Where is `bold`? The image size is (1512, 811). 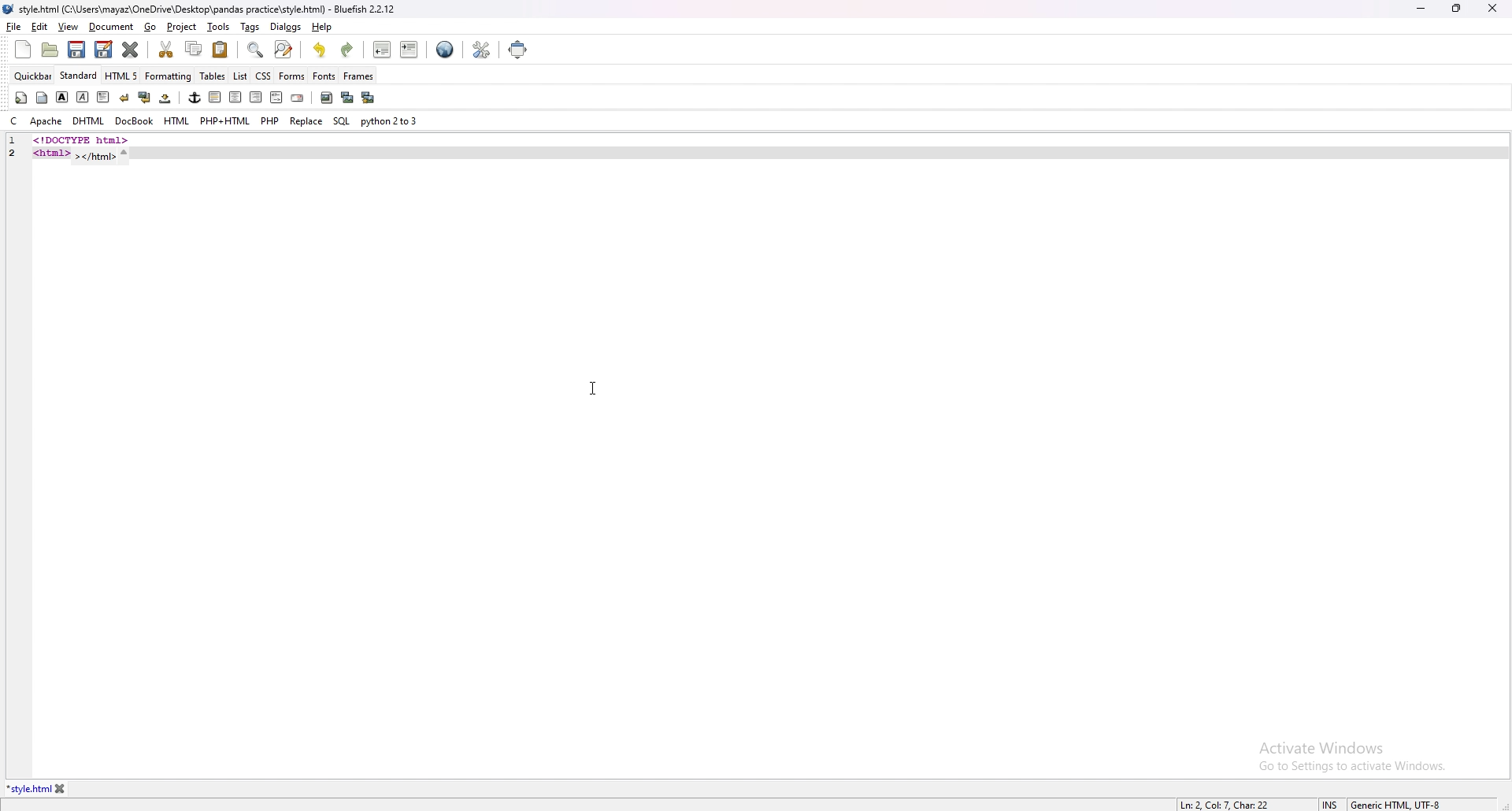
bold is located at coordinates (62, 97).